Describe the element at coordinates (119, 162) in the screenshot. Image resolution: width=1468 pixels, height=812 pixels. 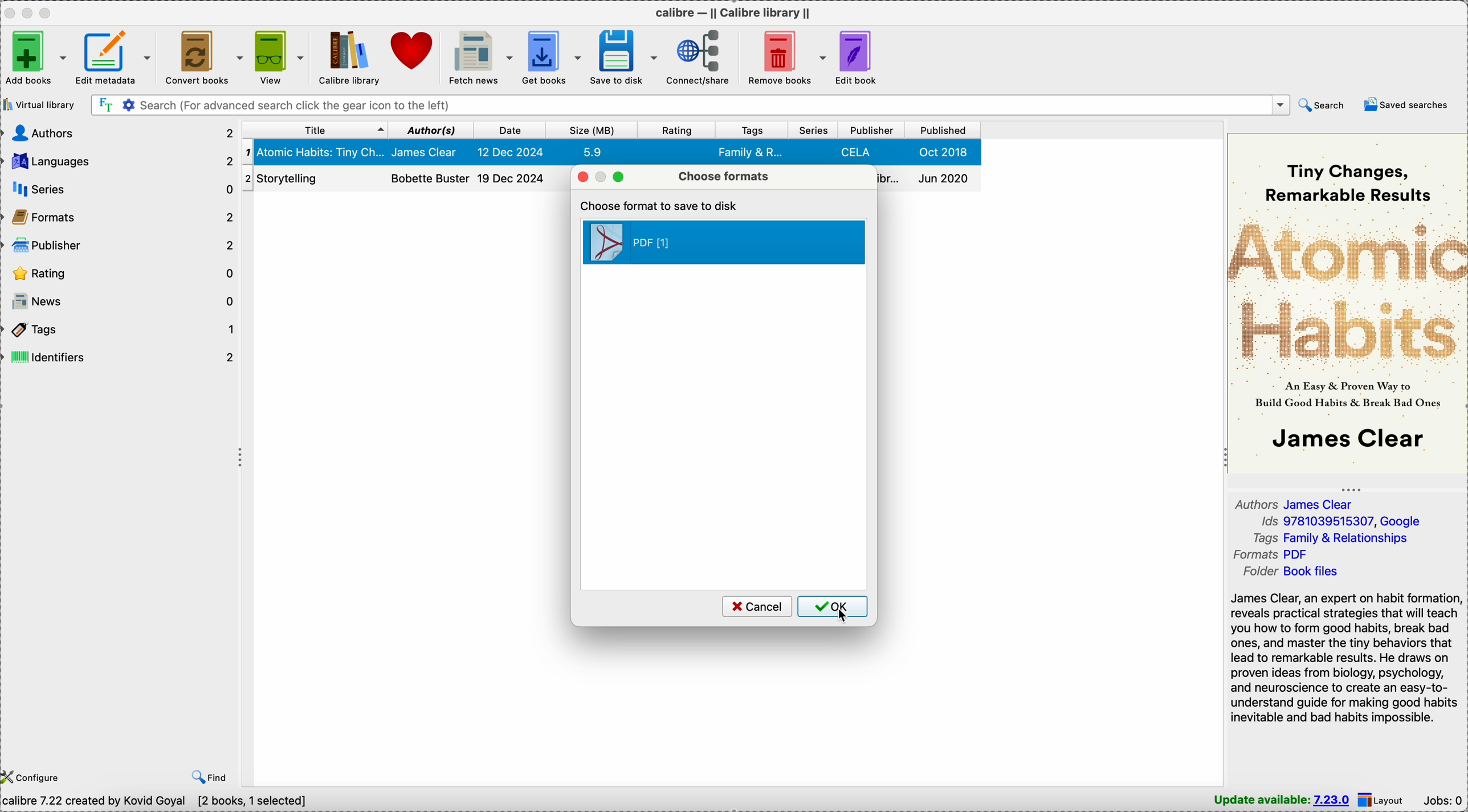
I see `languages` at that location.